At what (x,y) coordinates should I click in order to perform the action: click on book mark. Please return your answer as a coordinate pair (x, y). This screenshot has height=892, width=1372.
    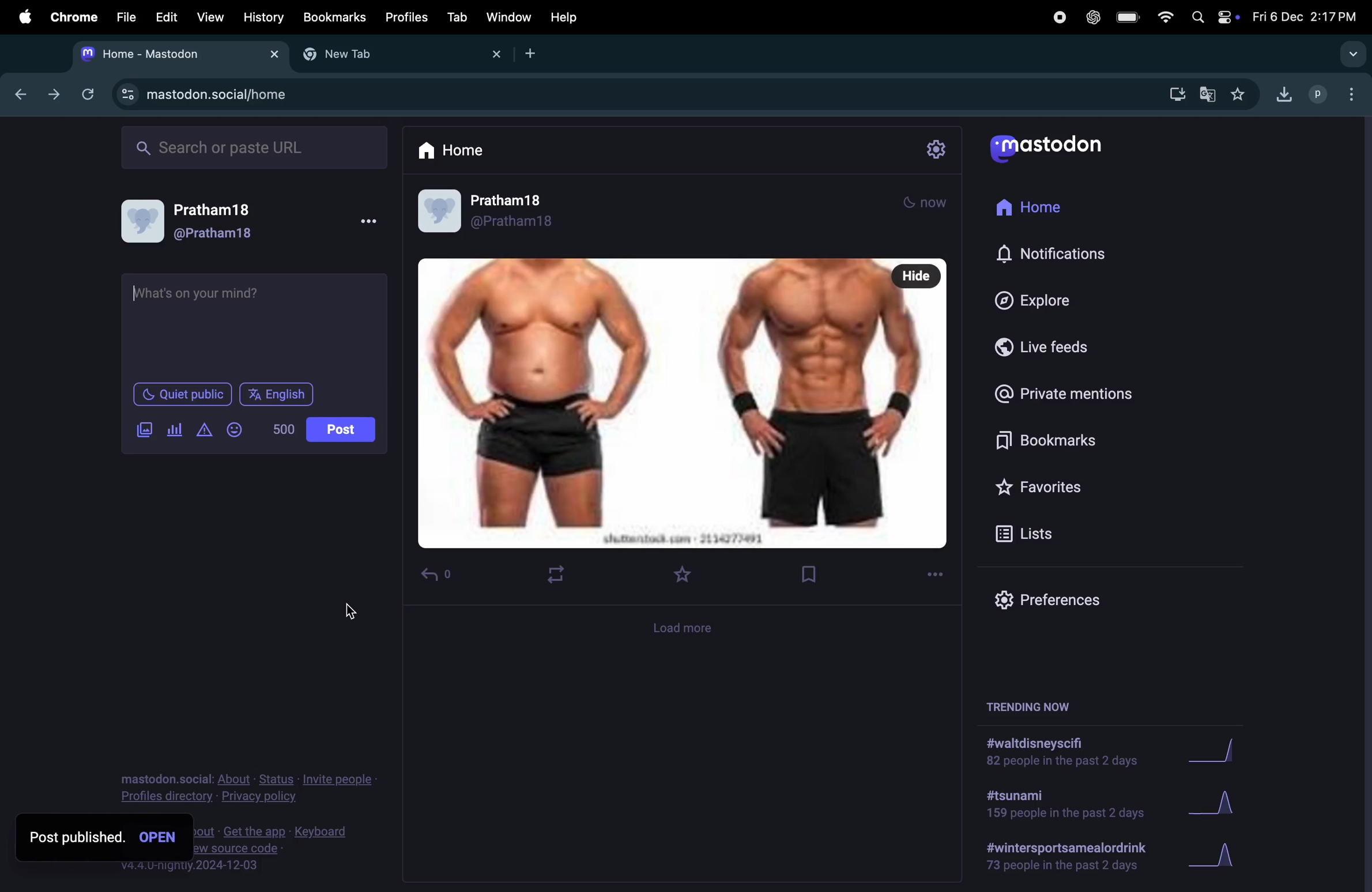
    Looking at the image, I should click on (817, 573).